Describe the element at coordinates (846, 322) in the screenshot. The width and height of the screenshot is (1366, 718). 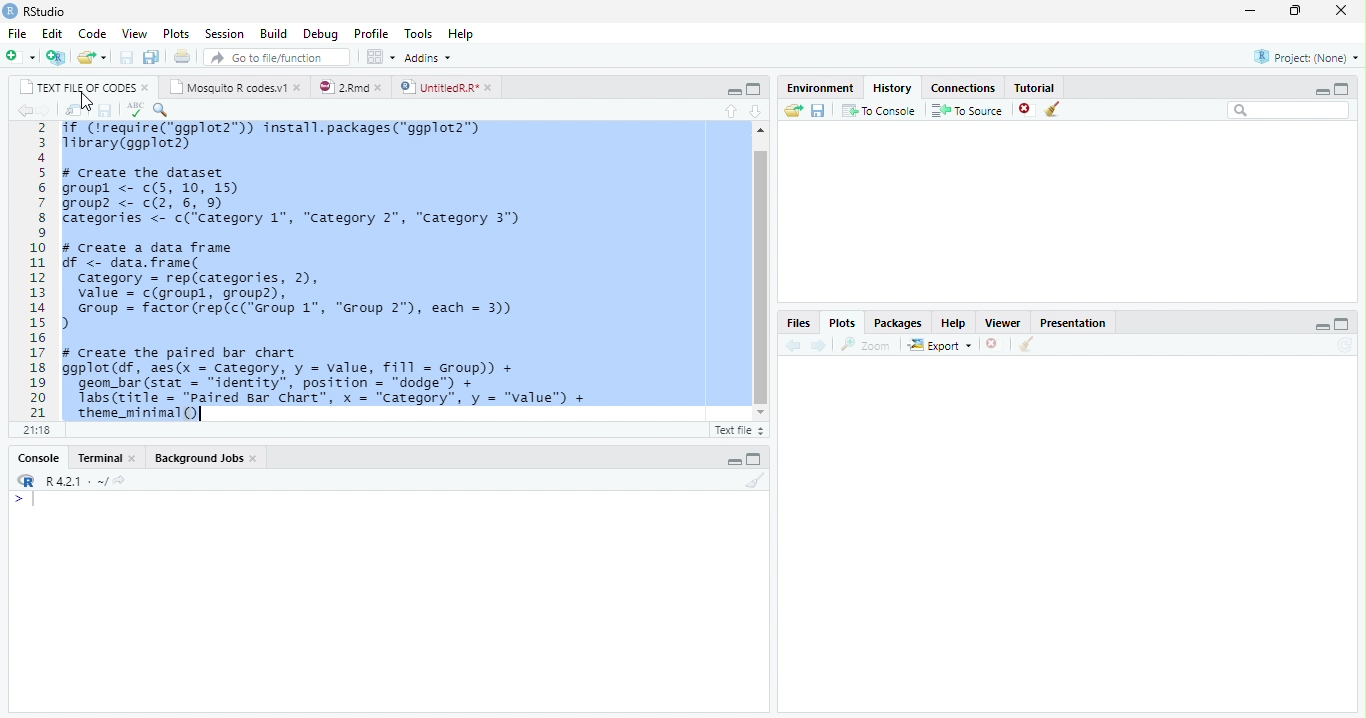
I see `plots` at that location.